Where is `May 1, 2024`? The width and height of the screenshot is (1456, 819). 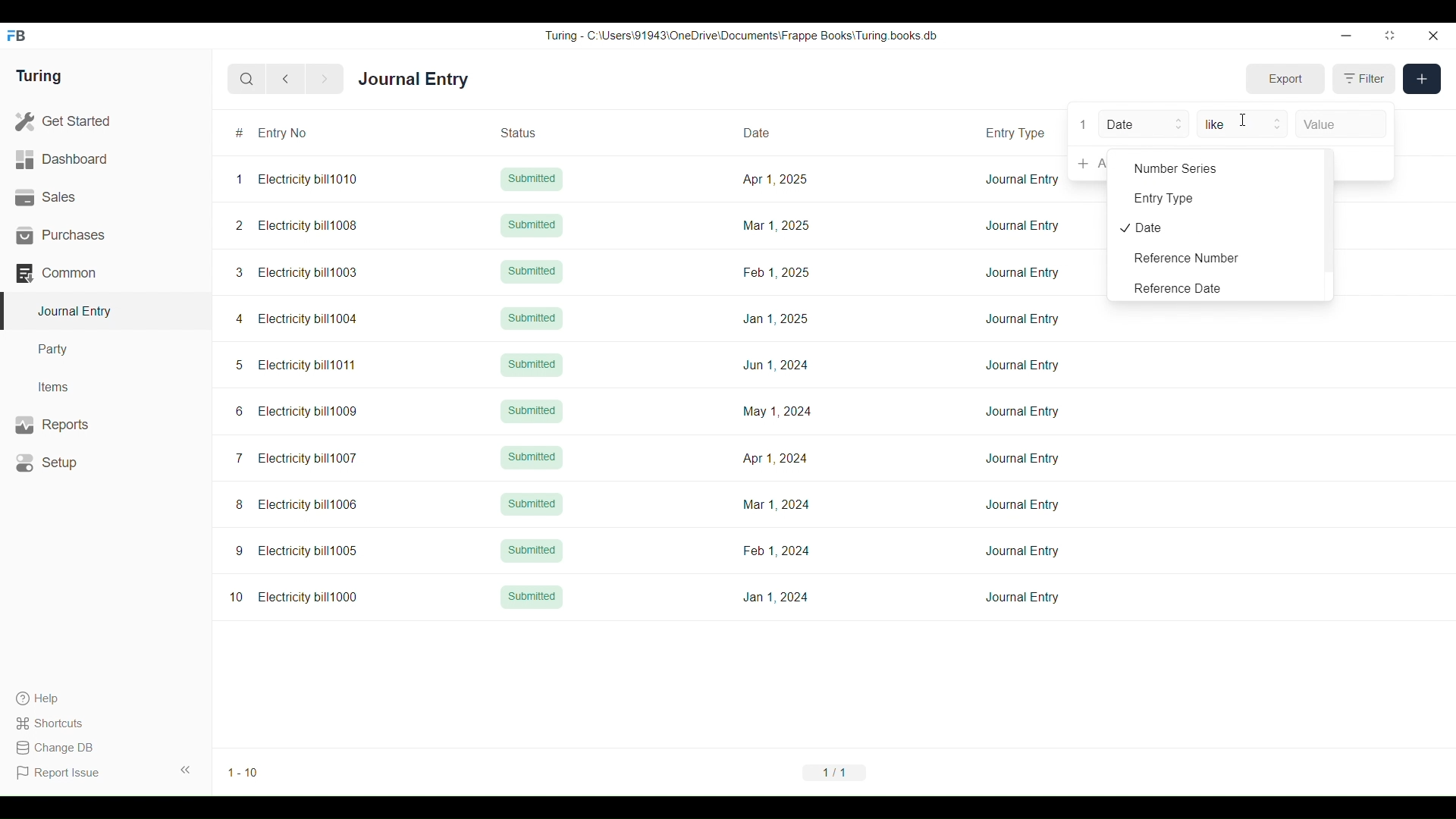 May 1, 2024 is located at coordinates (777, 410).